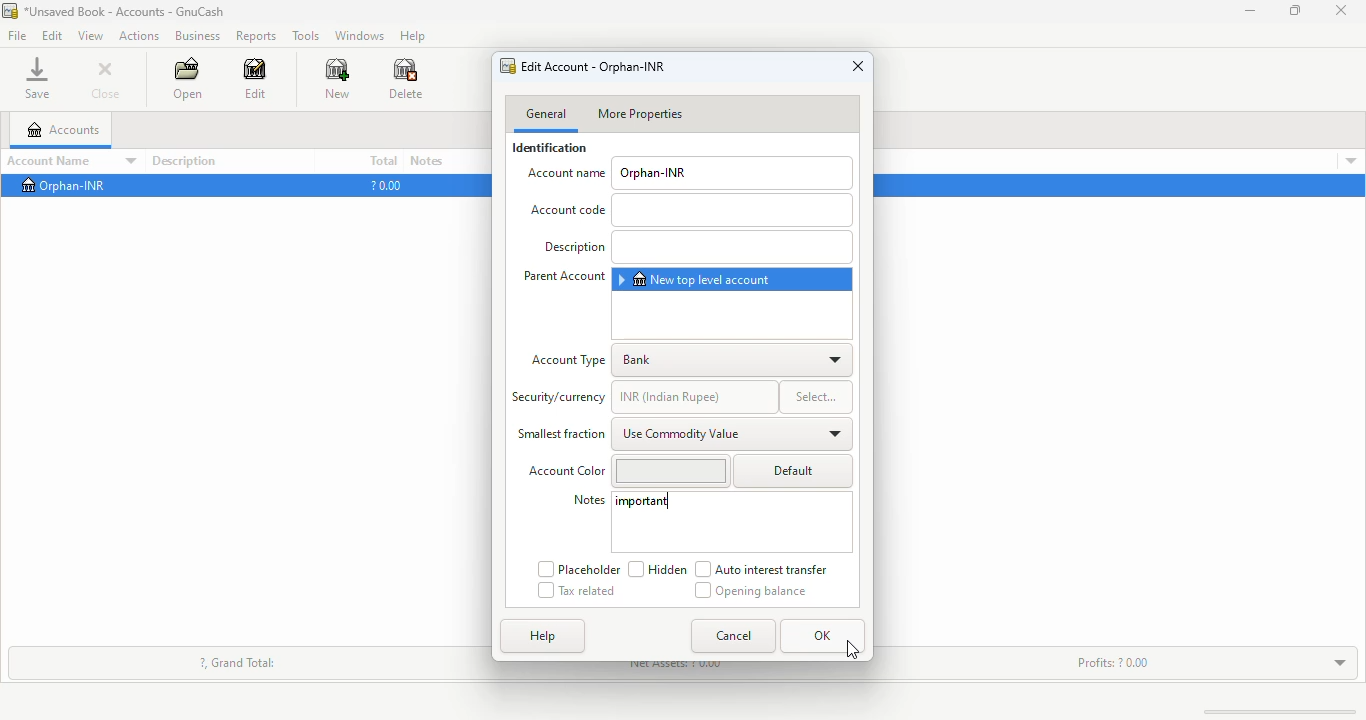 This screenshot has height=720, width=1366. I want to click on close, so click(859, 65).